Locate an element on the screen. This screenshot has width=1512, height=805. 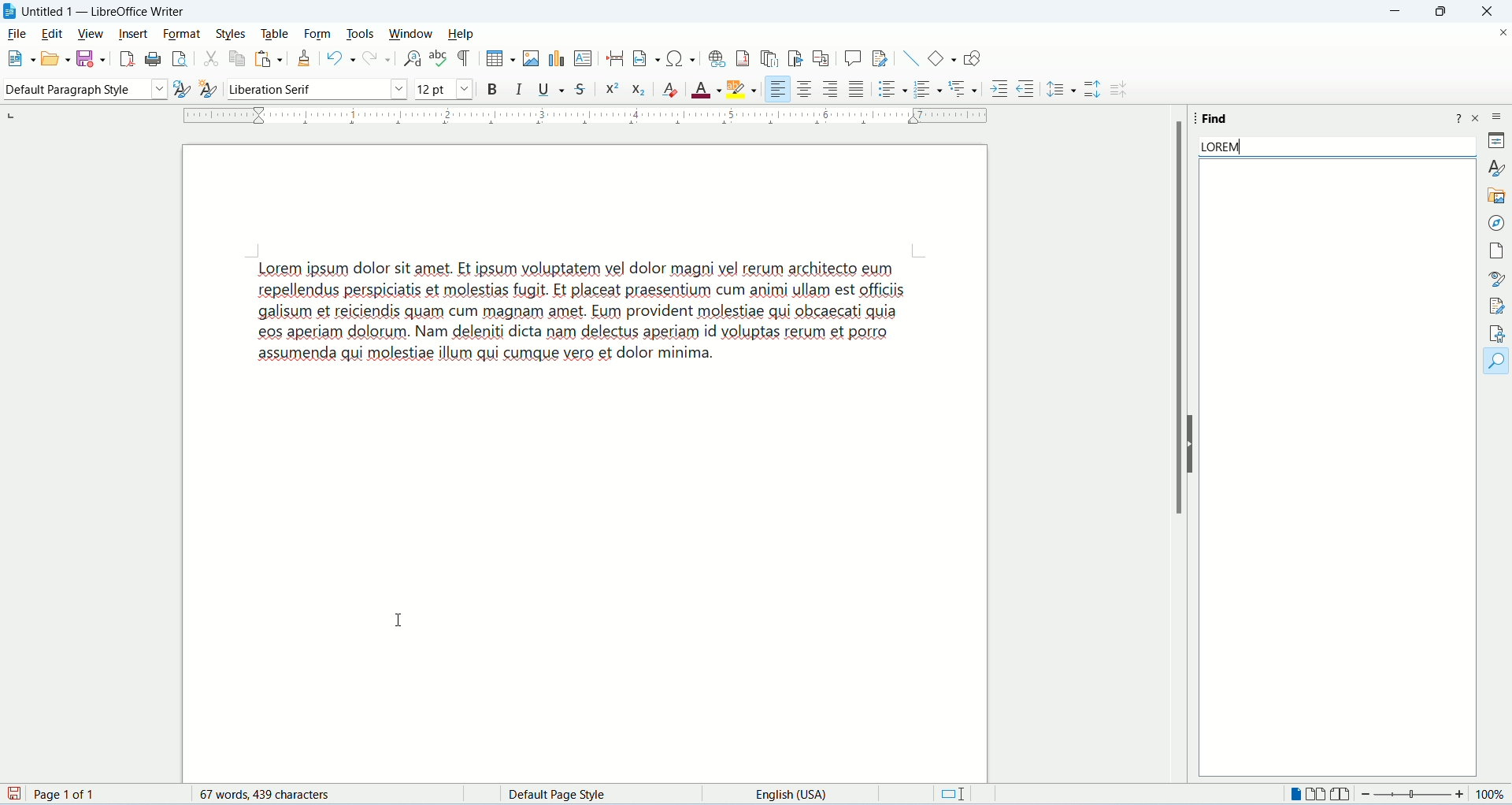
decrease indent is located at coordinates (1025, 88).